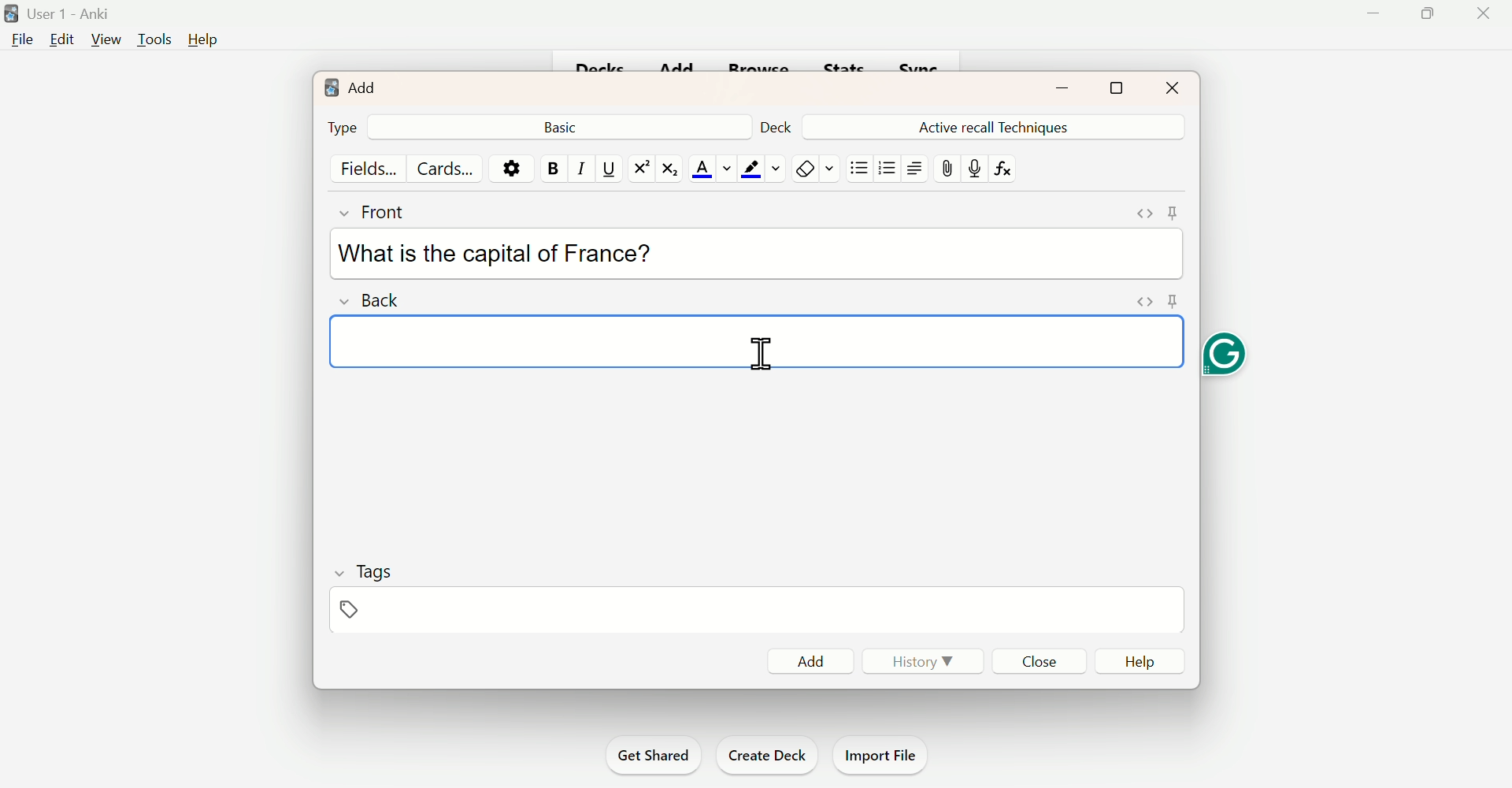 The height and width of the screenshot is (788, 1512). I want to click on History, so click(929, 663).